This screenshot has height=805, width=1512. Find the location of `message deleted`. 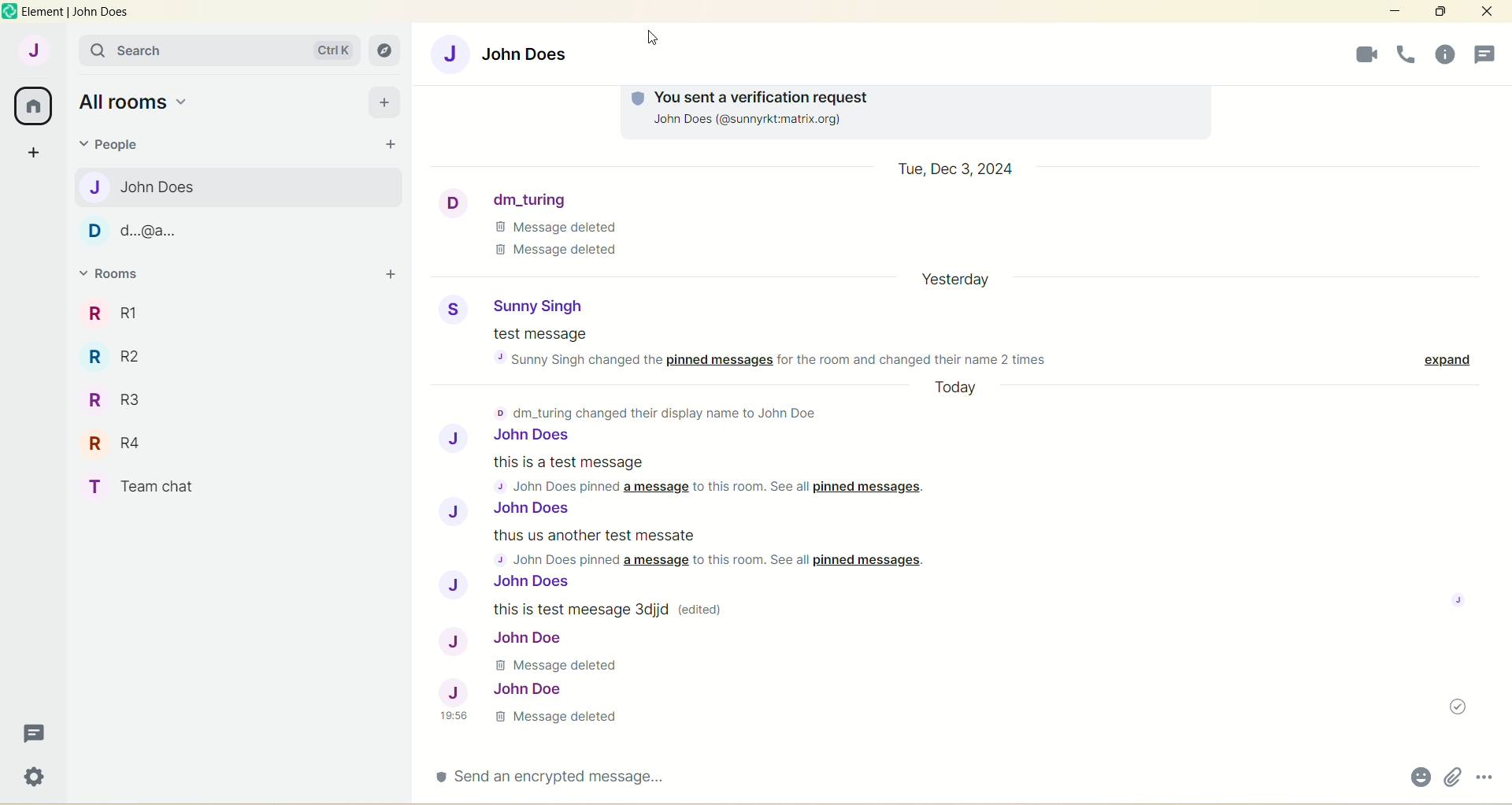

message deleted is located at coordinates (536, 722).